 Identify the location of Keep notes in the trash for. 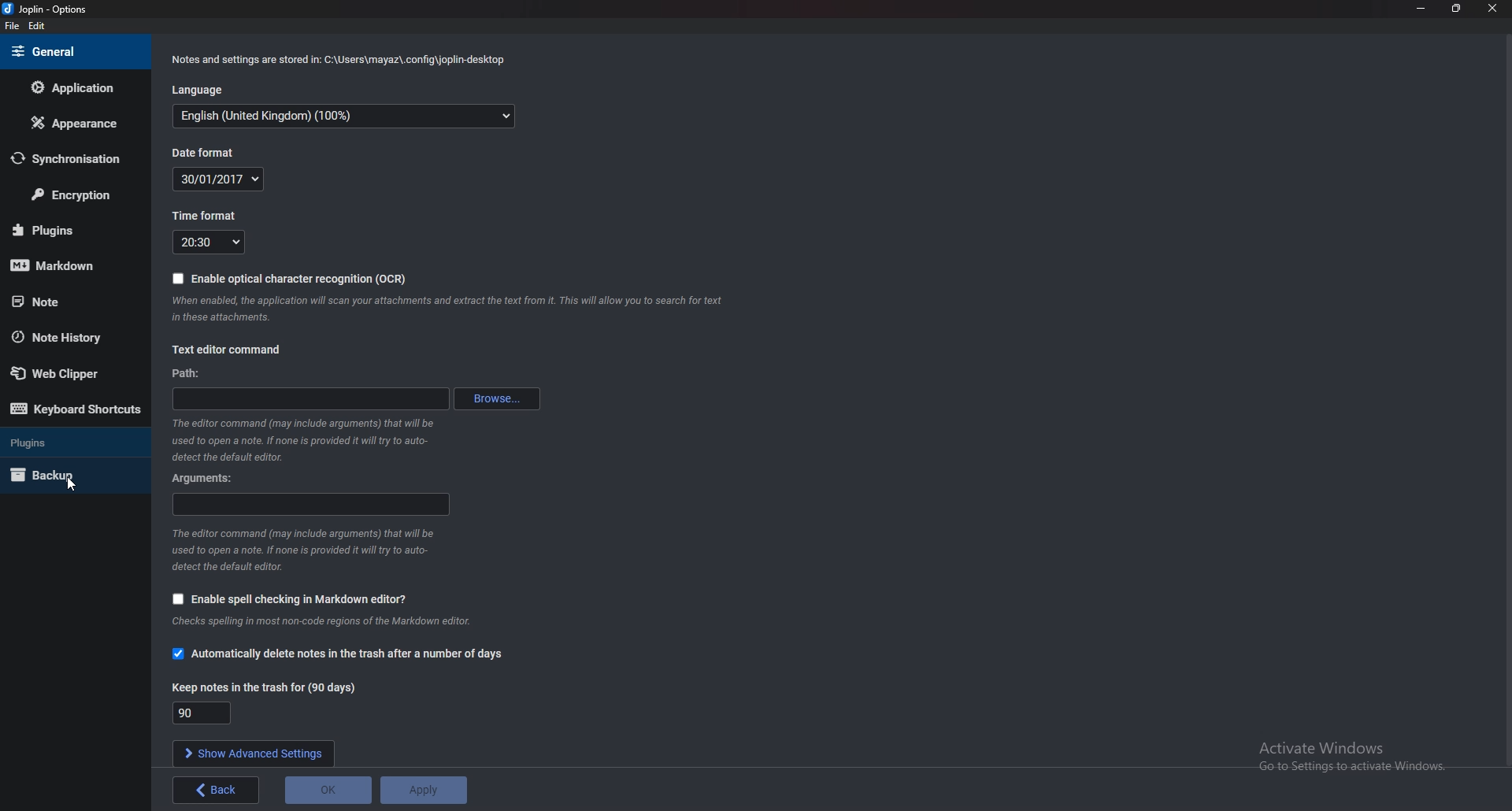
(262, 689).